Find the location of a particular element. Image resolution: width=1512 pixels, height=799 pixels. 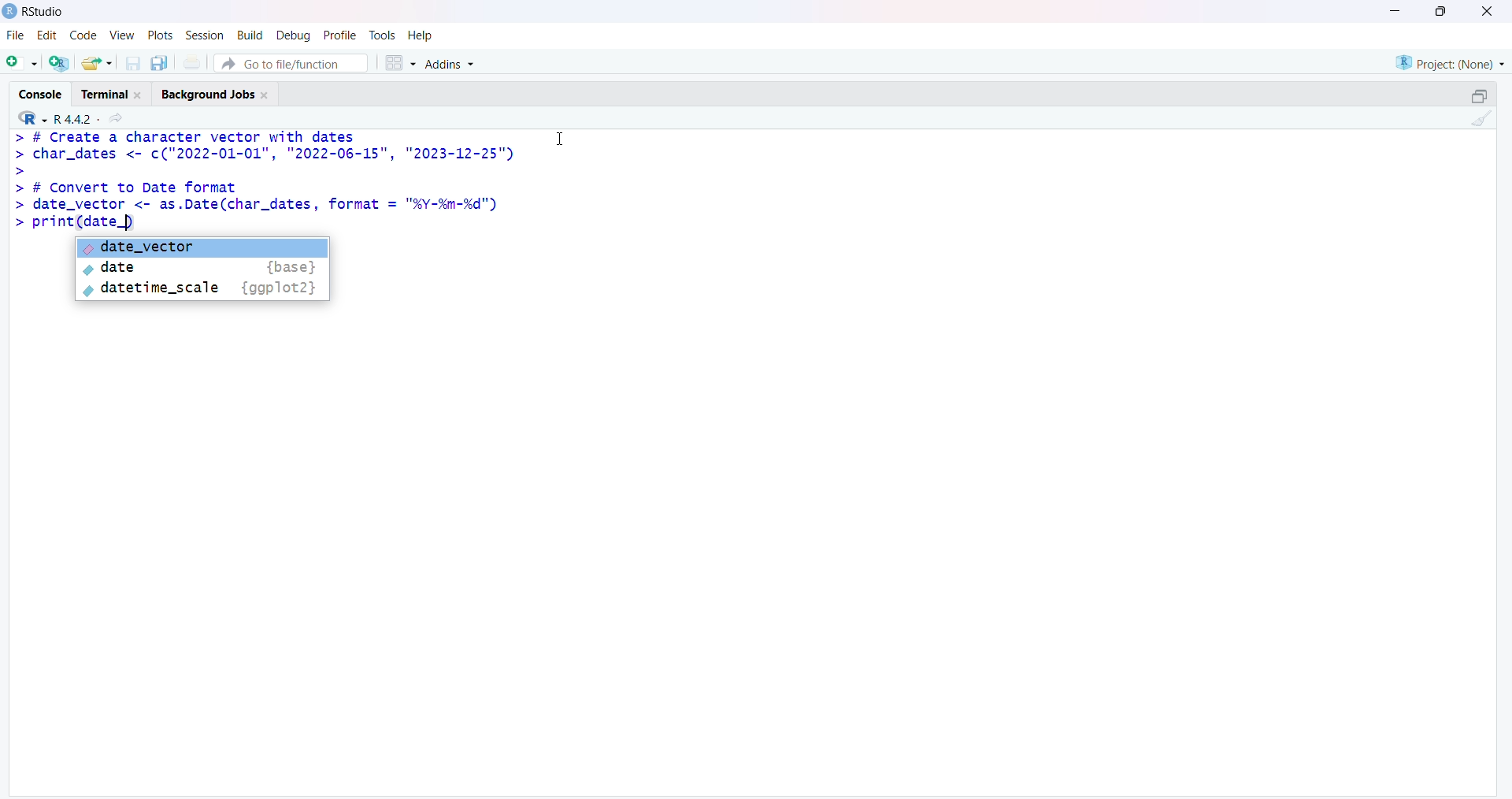

File is located at coordinates (13, 38).